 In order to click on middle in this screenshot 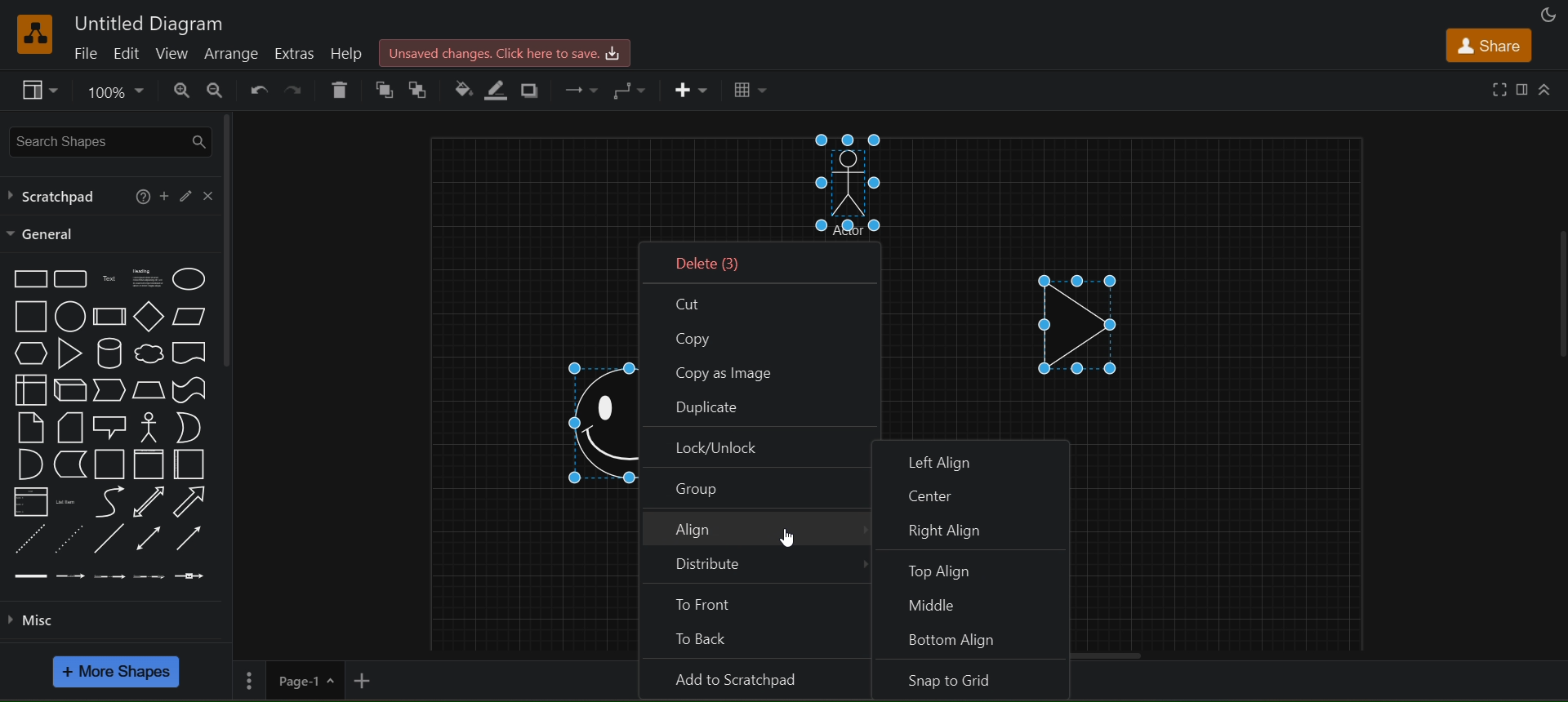, I will do `click(977, 604)`.